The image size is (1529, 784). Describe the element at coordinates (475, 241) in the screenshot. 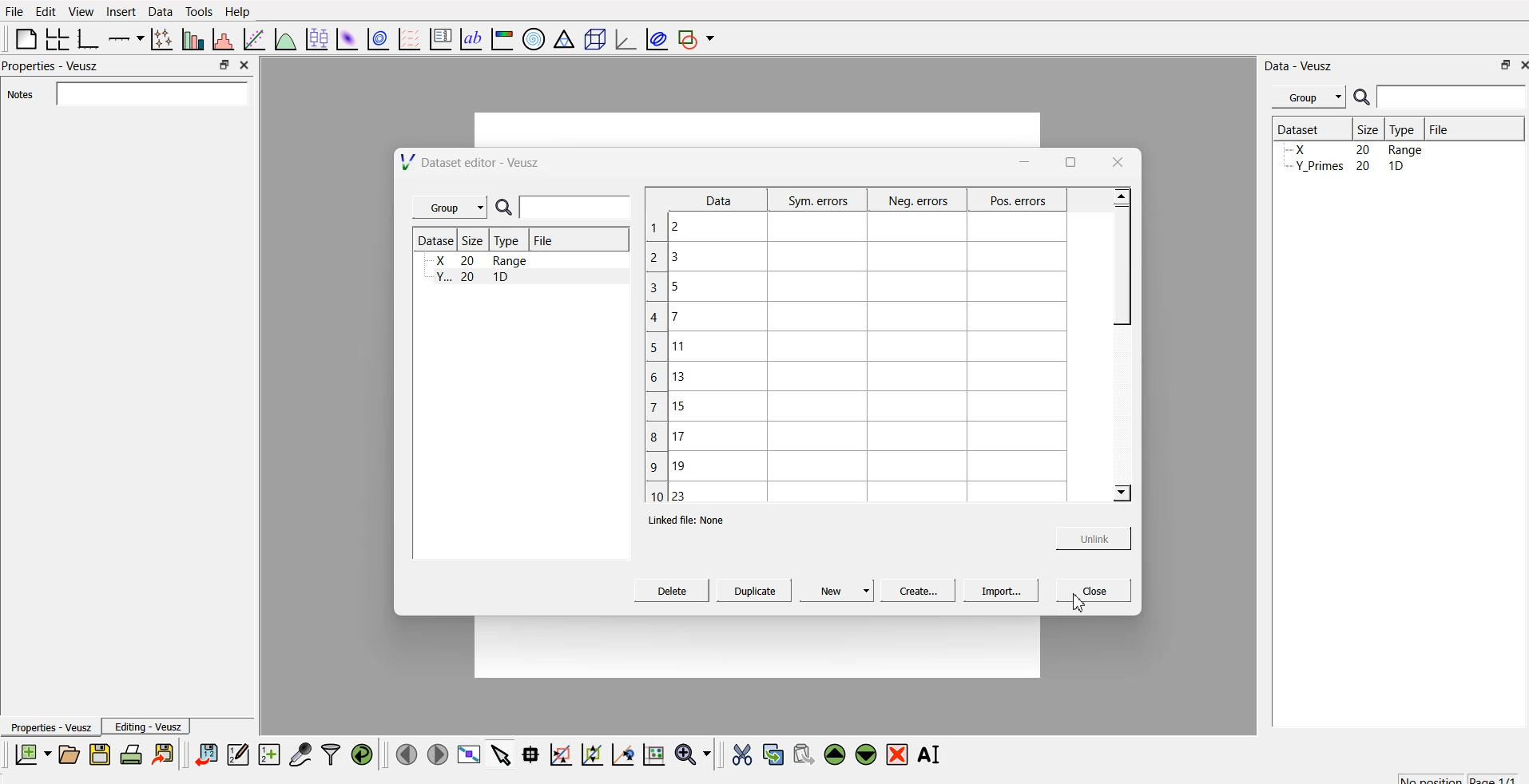

I see `| Size` at that location.